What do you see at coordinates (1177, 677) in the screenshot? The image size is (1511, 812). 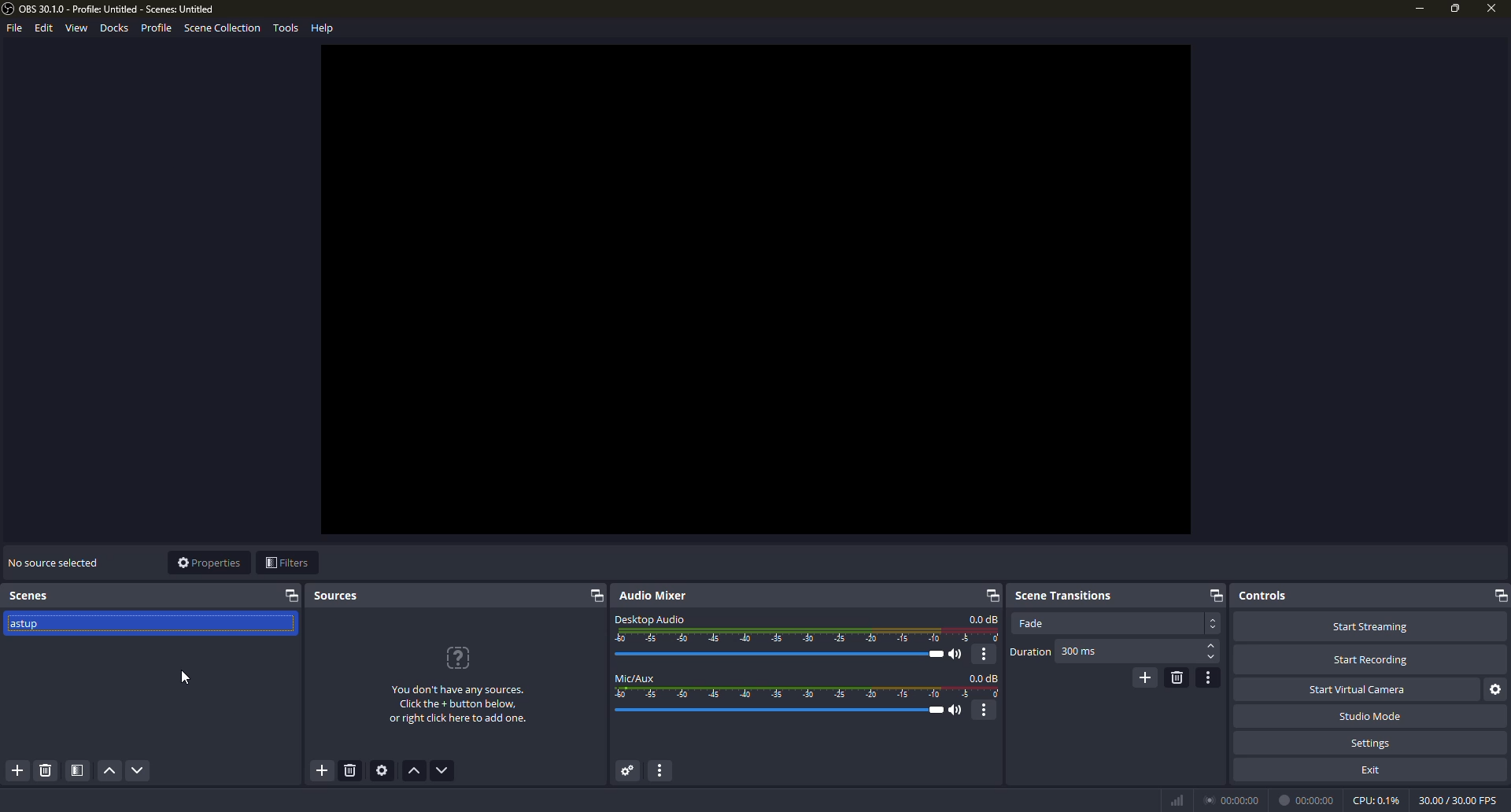 I see `remove configurable transition` at bounding box center [1177, 677].